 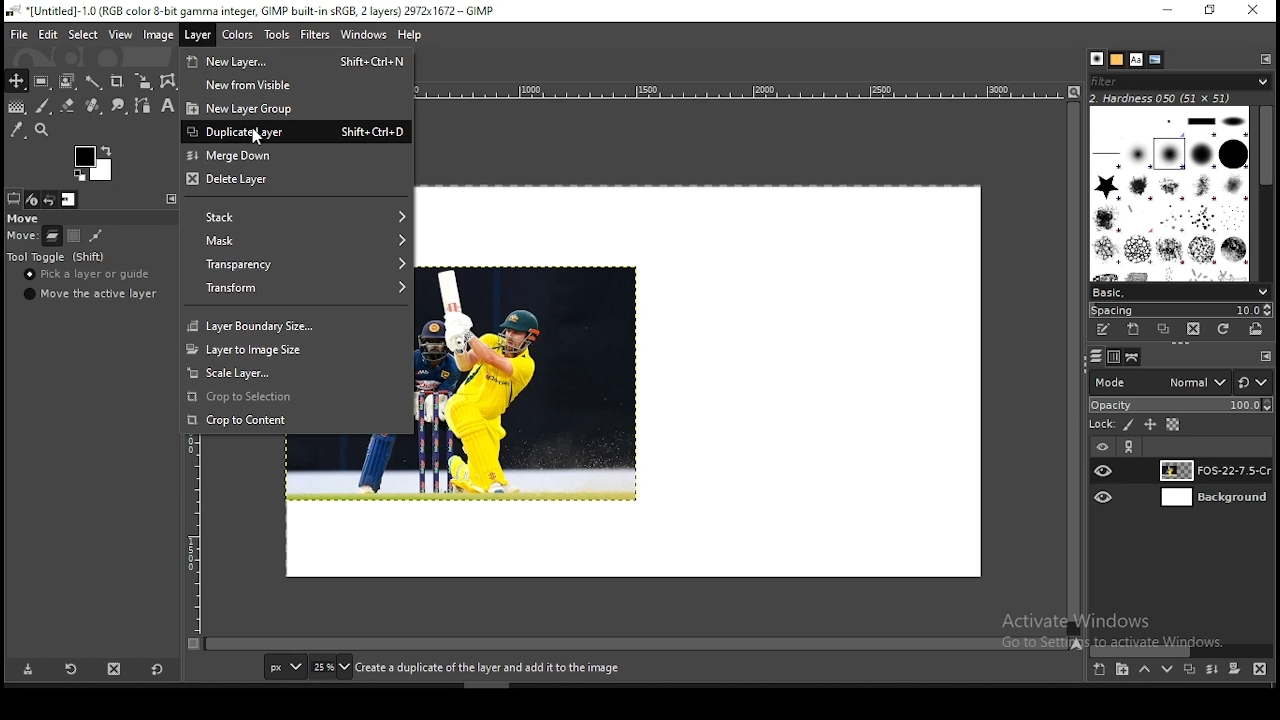 I want to click on icon and file name, so click(x=248, y=12).